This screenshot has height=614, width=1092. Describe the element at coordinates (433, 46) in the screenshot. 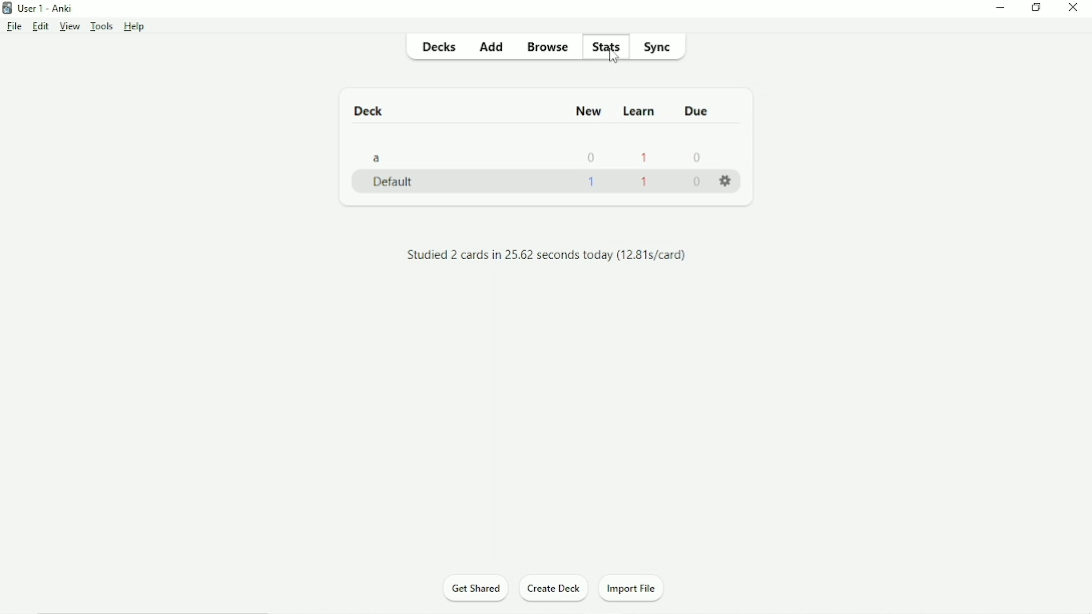

I see `Decks` at that location.